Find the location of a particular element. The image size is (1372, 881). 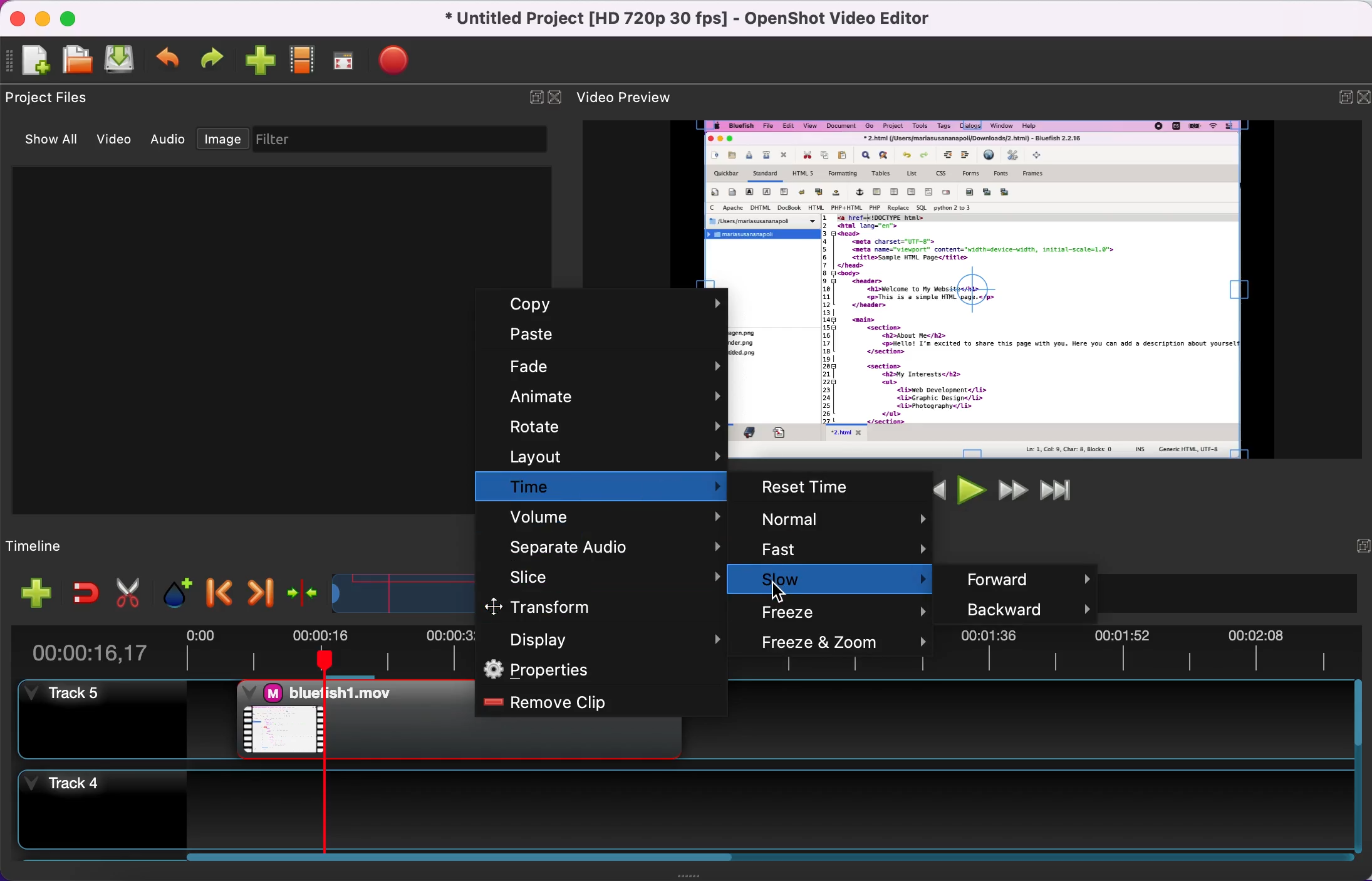

cut is located at coordinates (128, 590).